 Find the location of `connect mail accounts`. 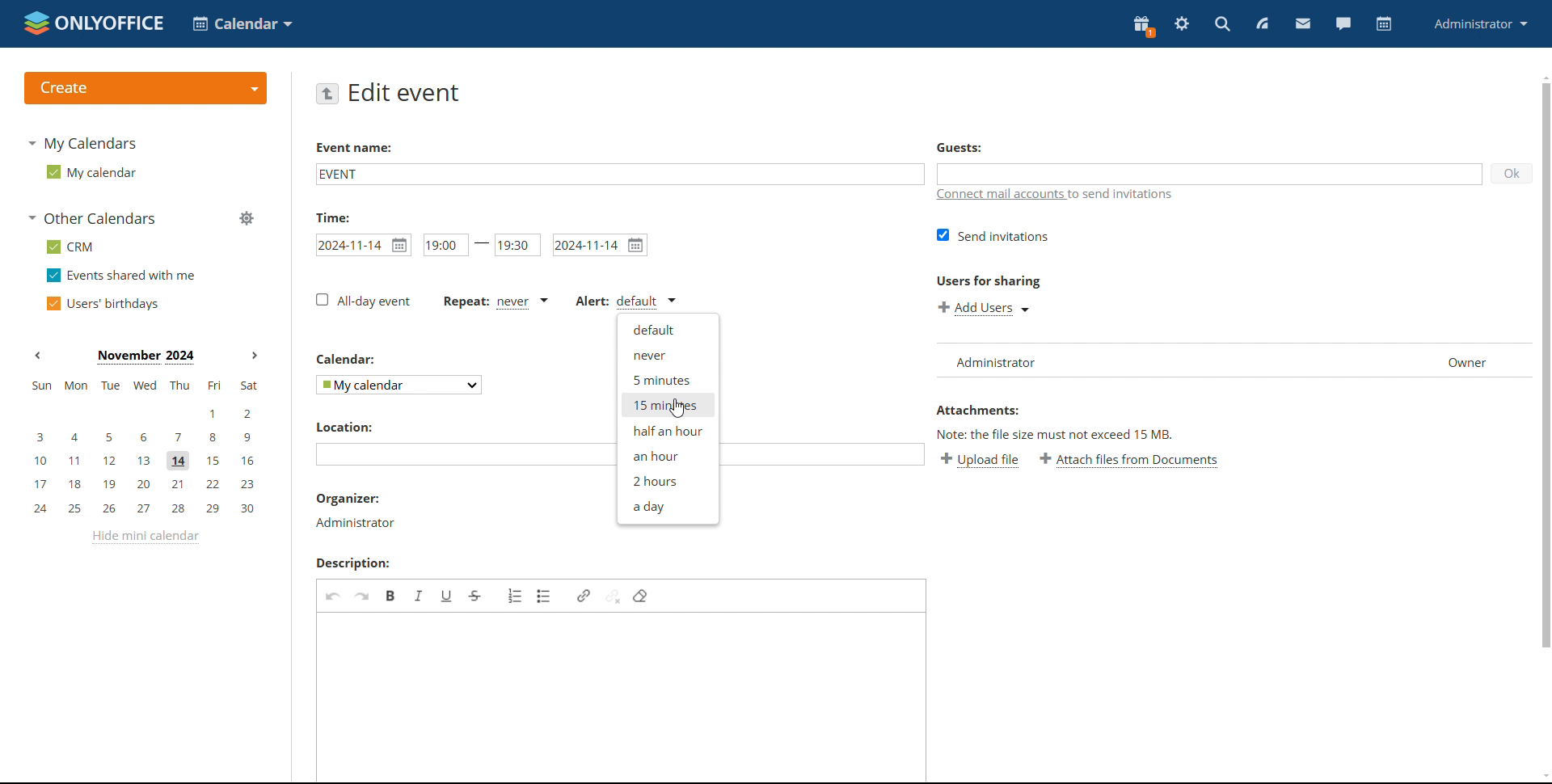

connect mail accounts is located at coordinates (1060, 195).